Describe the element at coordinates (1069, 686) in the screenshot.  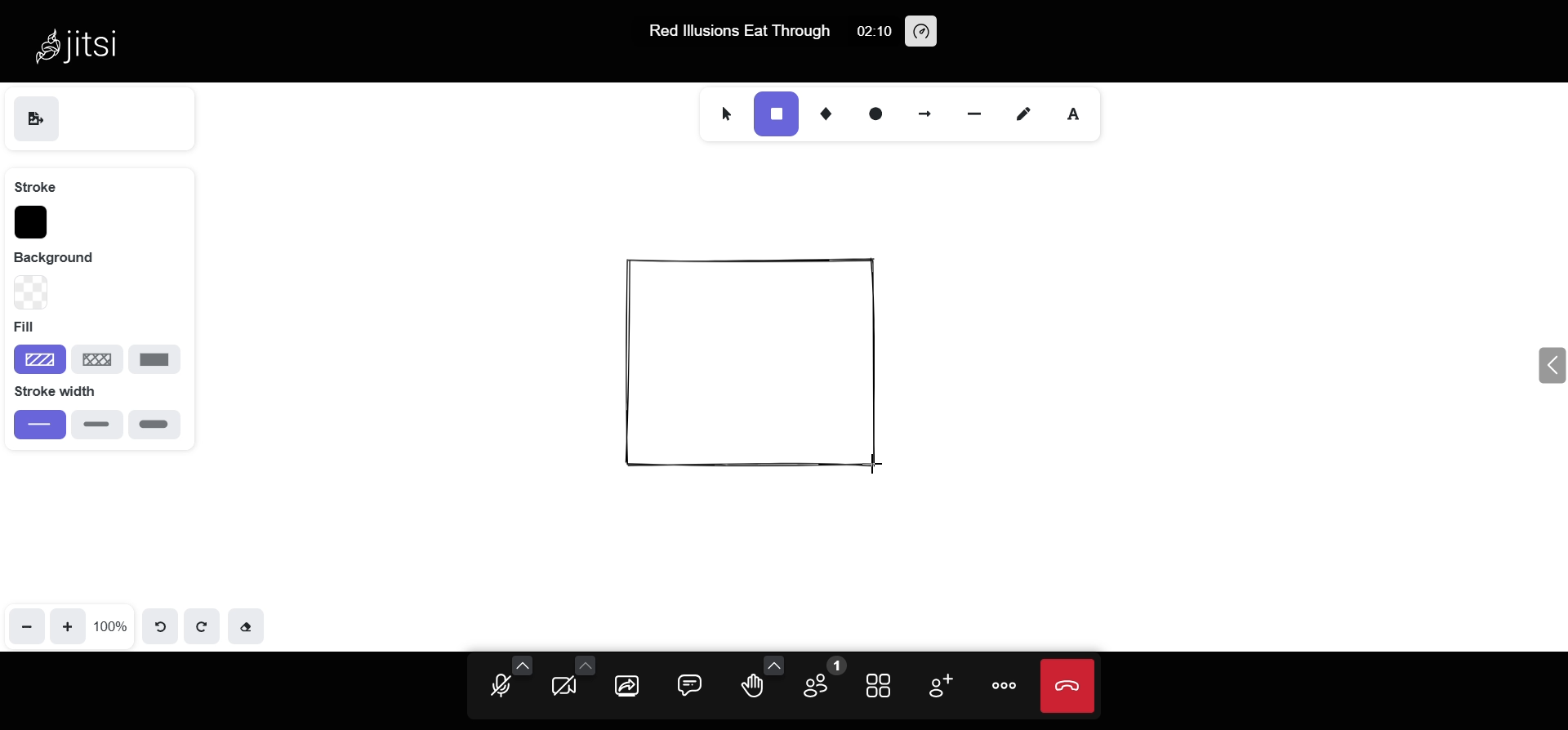
I see `end call` at that location.